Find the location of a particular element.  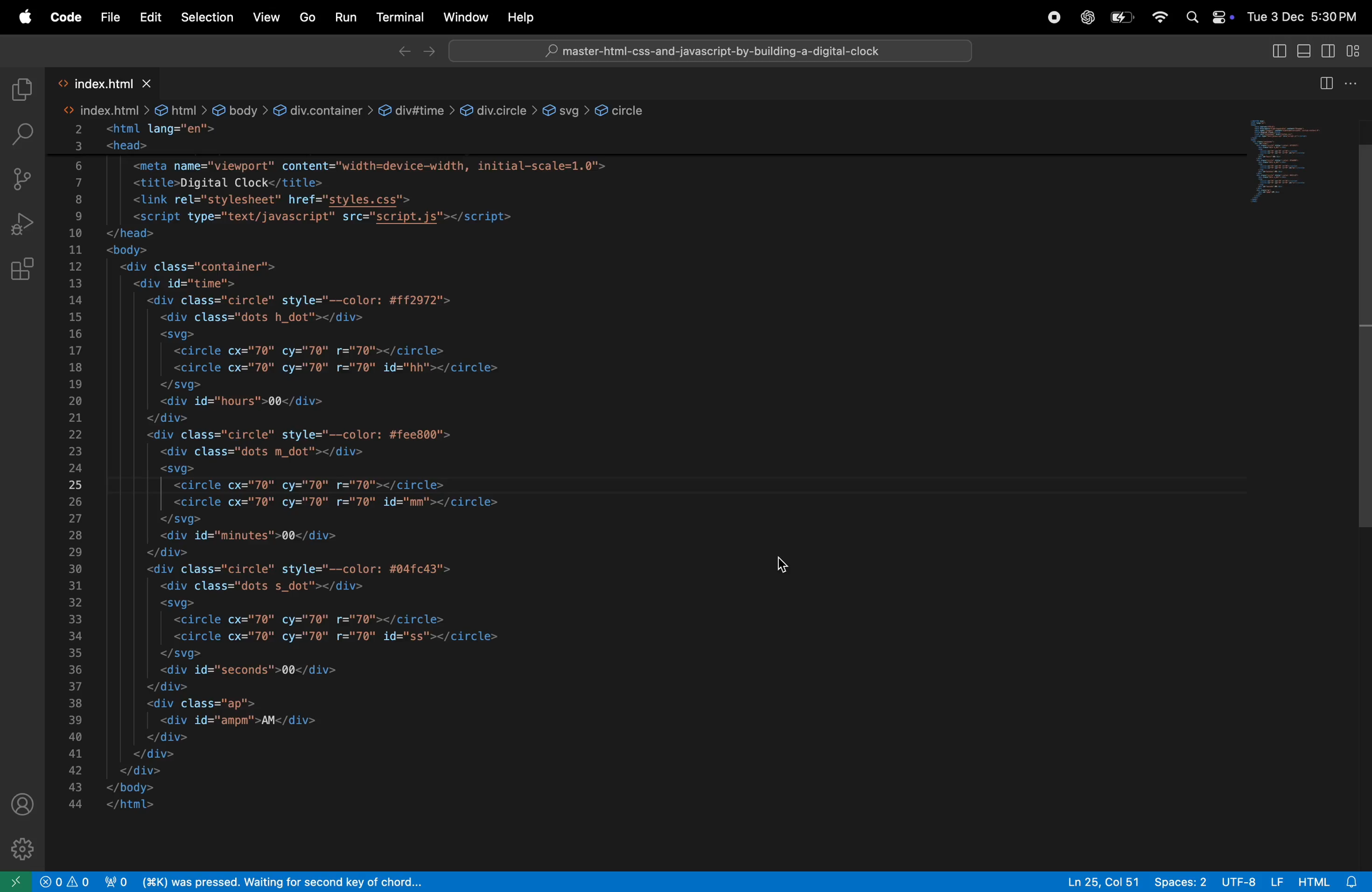

record is located at coordinates (1054, 16).